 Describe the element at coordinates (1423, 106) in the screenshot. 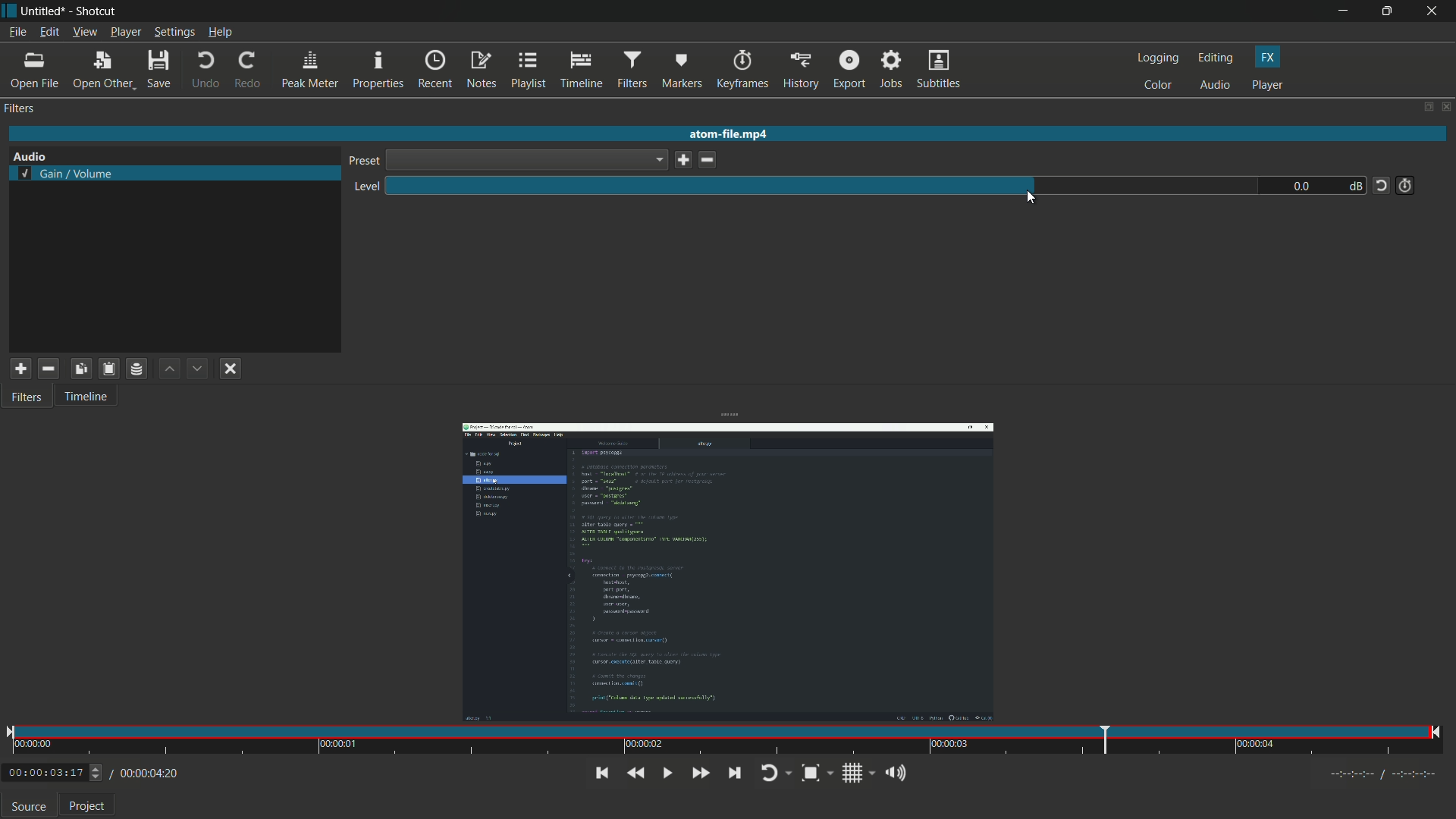

I see `change layout` at that location.